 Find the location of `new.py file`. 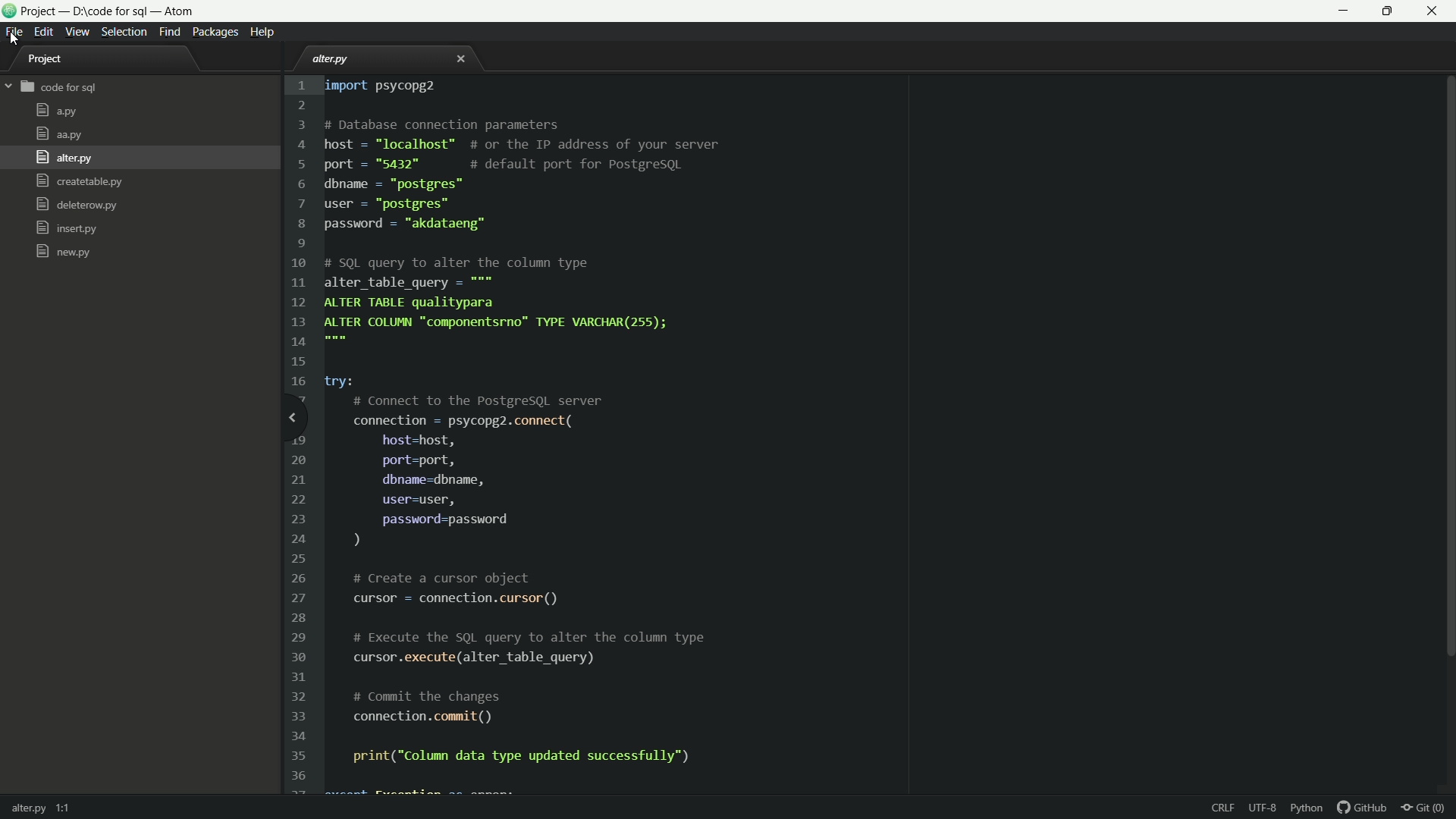

new.py file is located at coordinates (63, 251).